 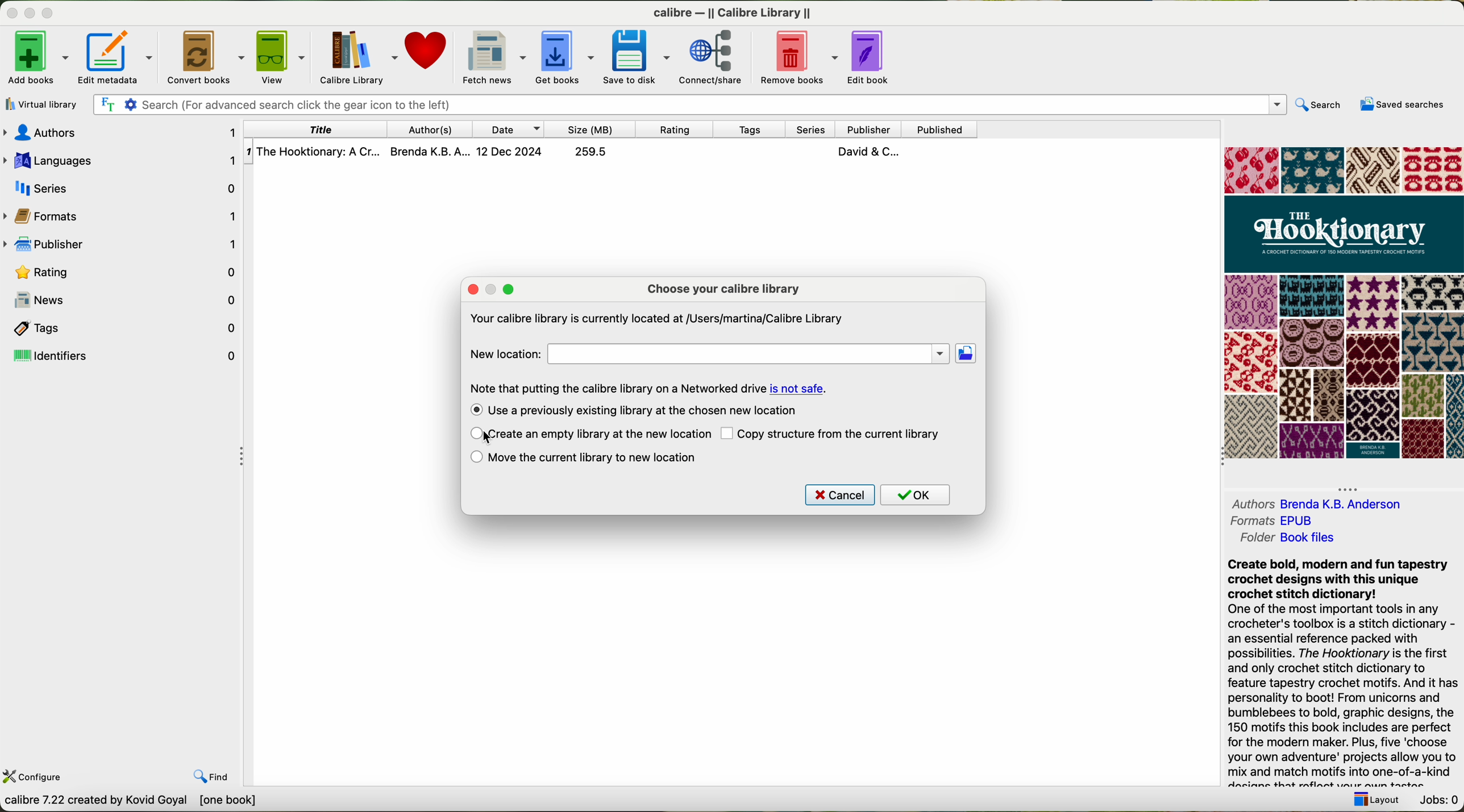 I want to click on authors Brenda K. B. Andreson, so click(x=1316, y=504).